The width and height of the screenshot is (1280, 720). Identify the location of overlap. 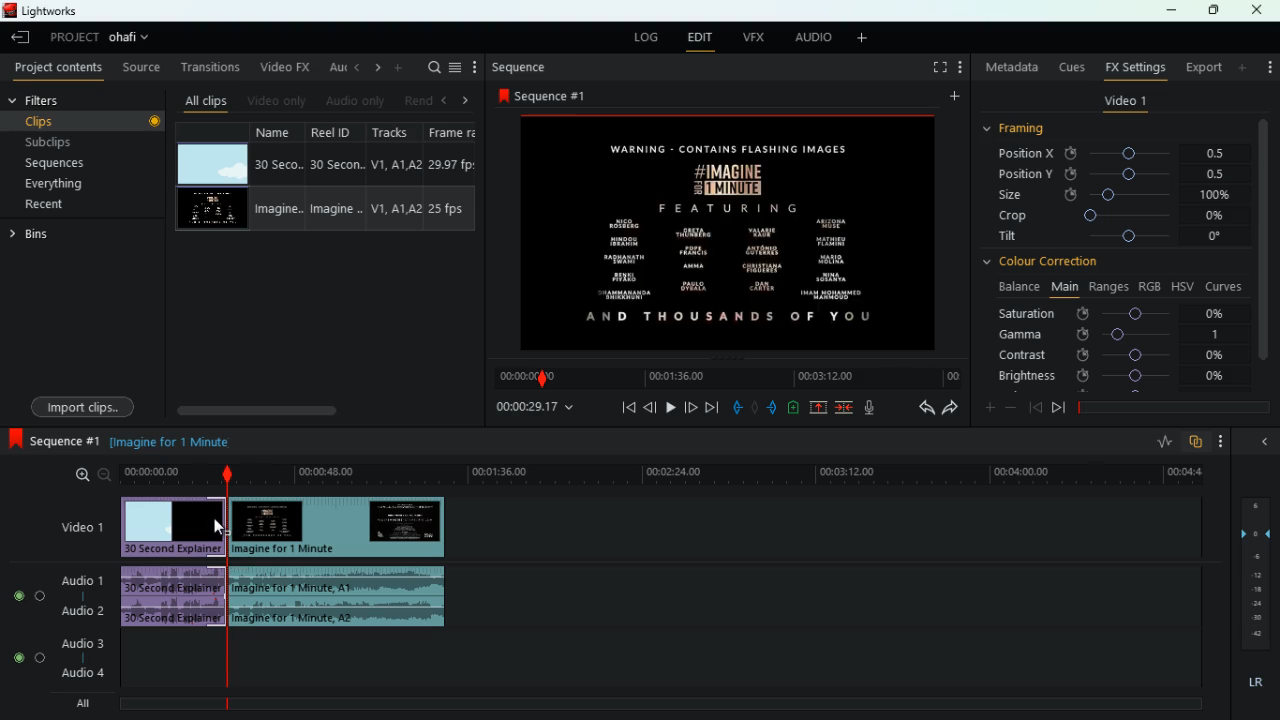
(1198, 442).